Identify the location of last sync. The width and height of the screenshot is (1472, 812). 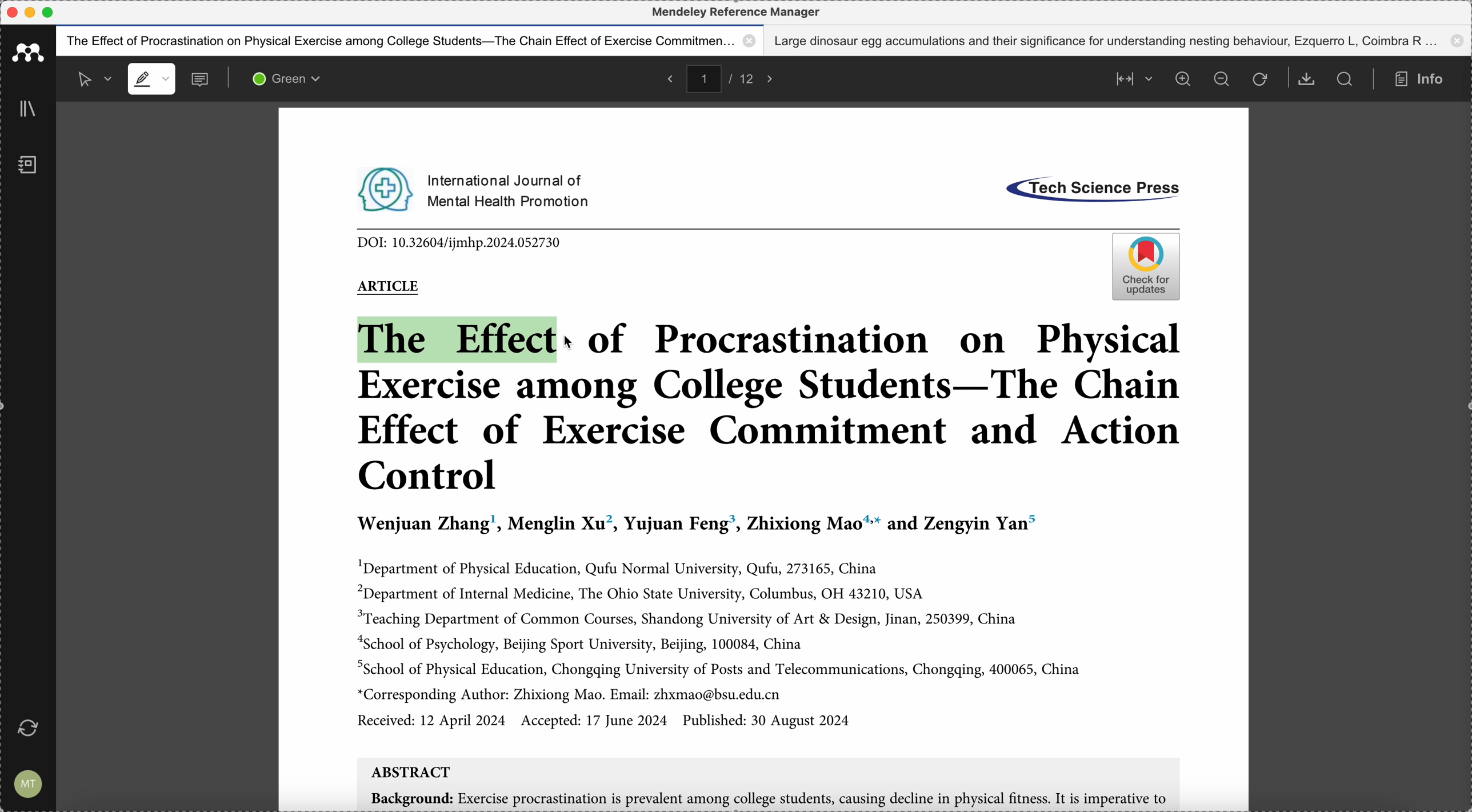
(33, 727).